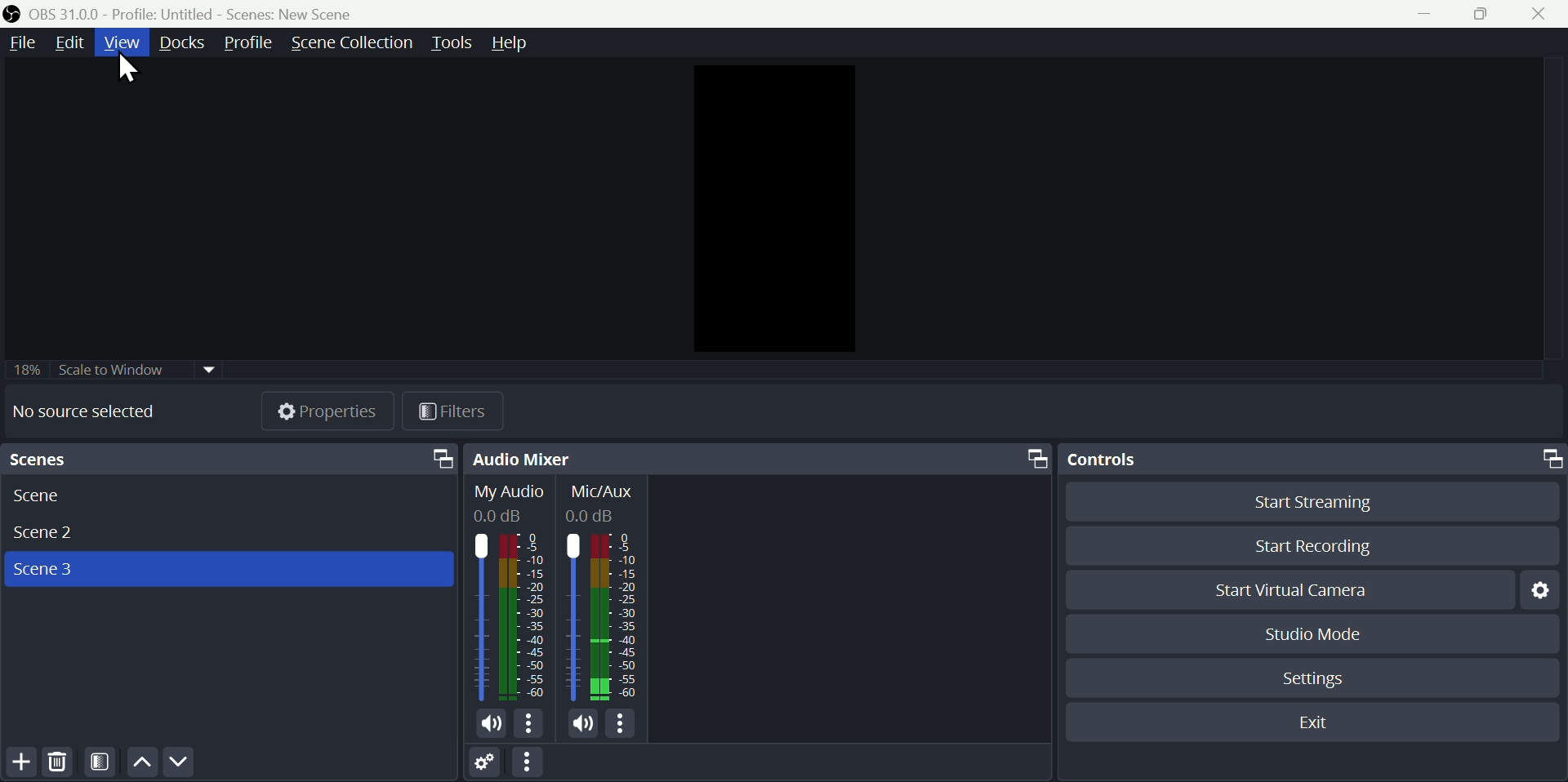  I want to click on View, so click(123, 43).